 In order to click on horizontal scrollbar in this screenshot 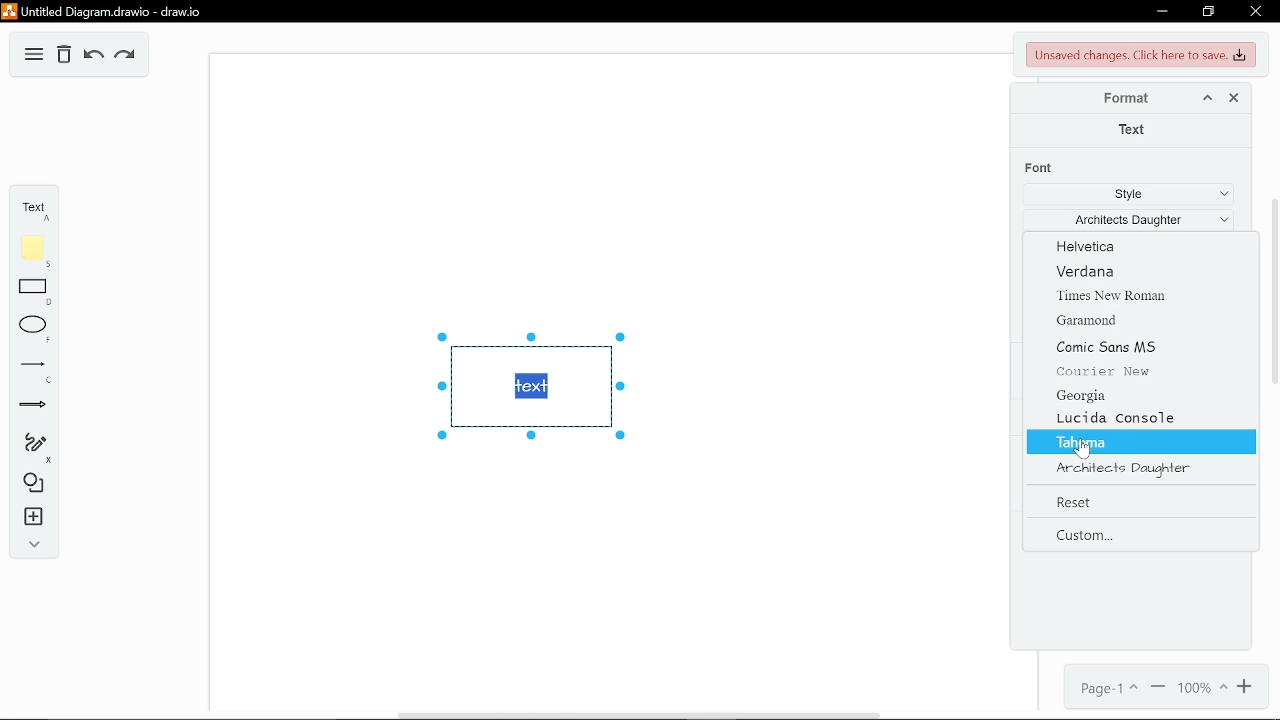, I will do `click(639, 715)`.